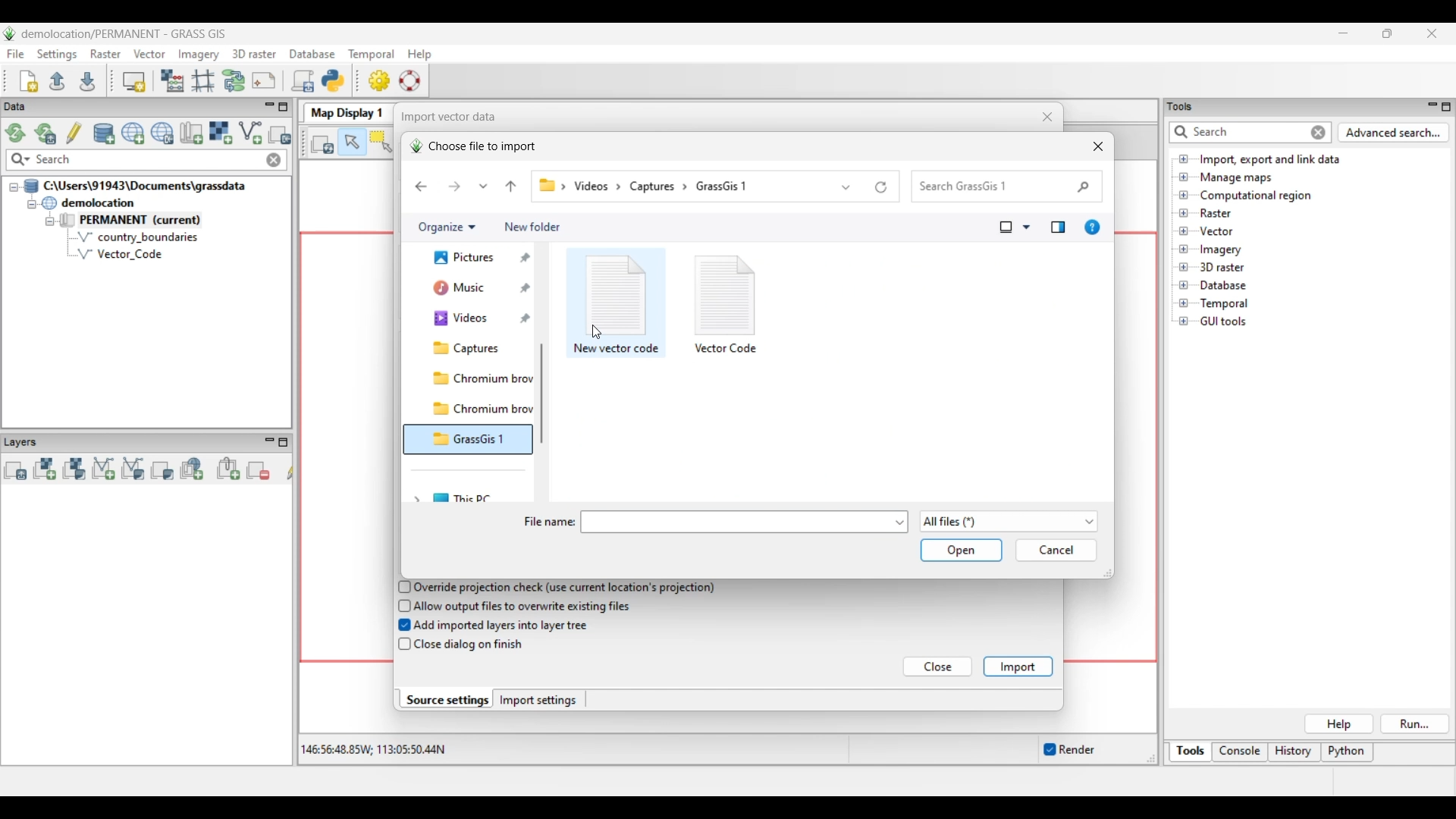  Describe the element at coordinates (259, 469) in the screenshot. I see `Remove selected map layer(s) from layer tree` at that location.